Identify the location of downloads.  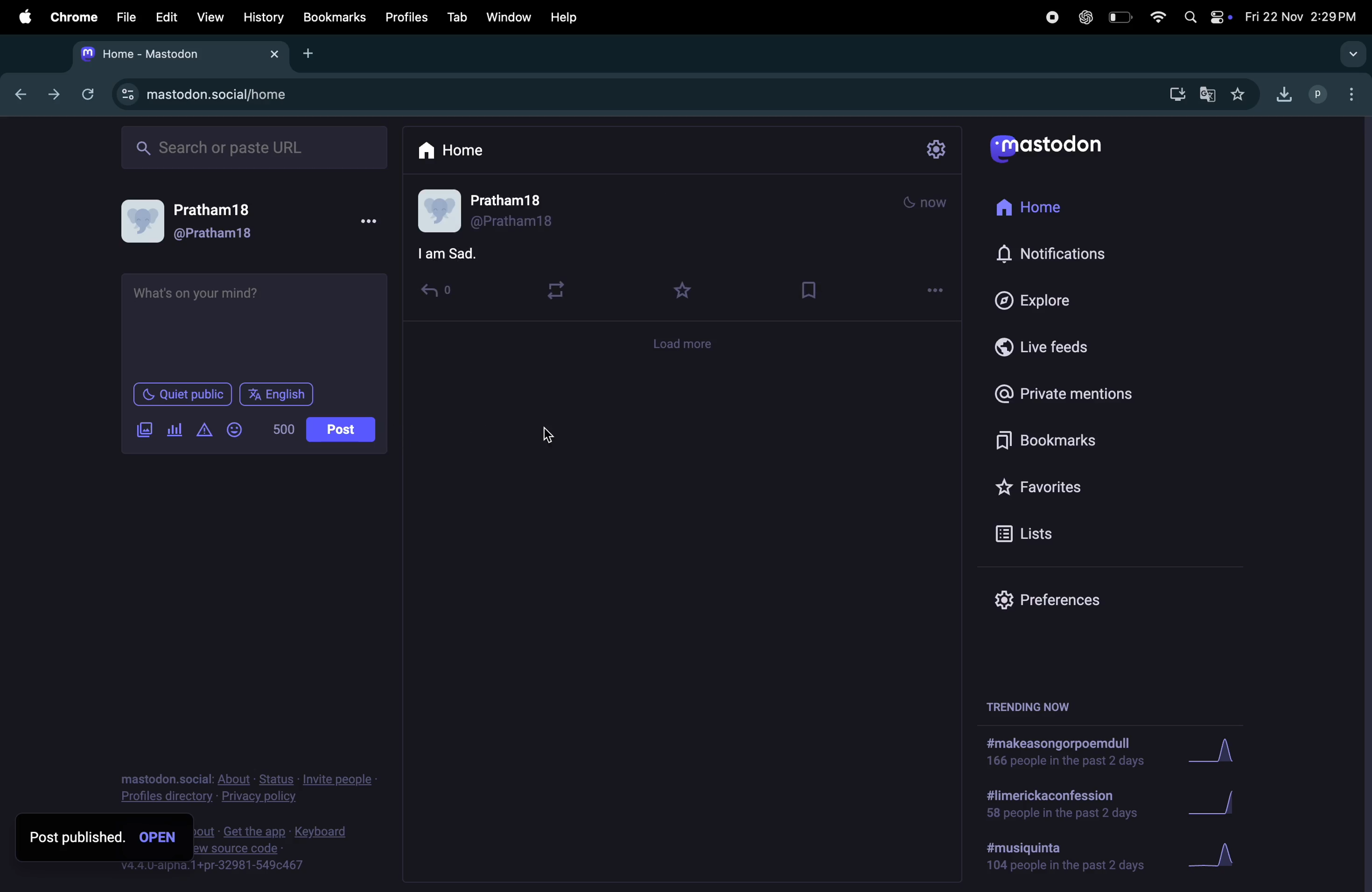
(1283, 95).